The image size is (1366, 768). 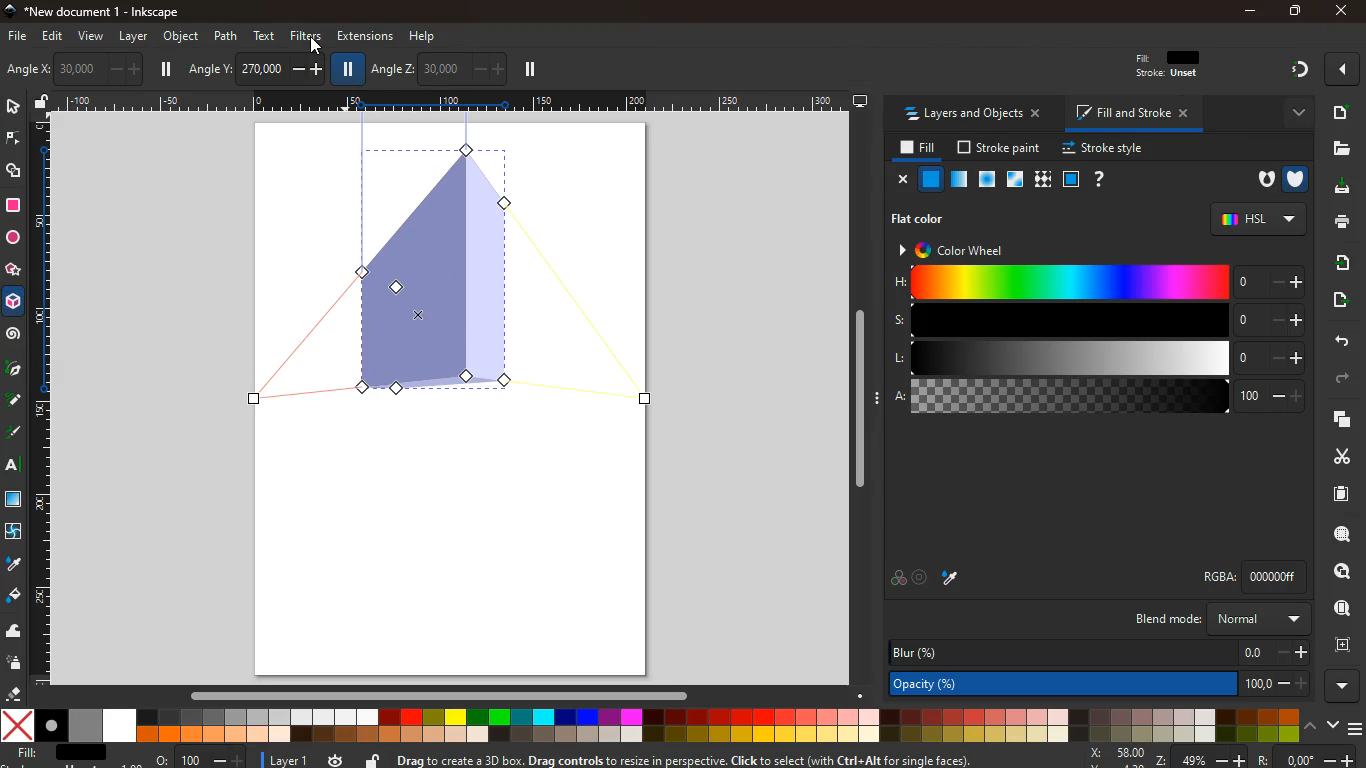 What do you see at coordinates (921, 577) in the screenshot?
I see `target` at bounding box center [921, 577].